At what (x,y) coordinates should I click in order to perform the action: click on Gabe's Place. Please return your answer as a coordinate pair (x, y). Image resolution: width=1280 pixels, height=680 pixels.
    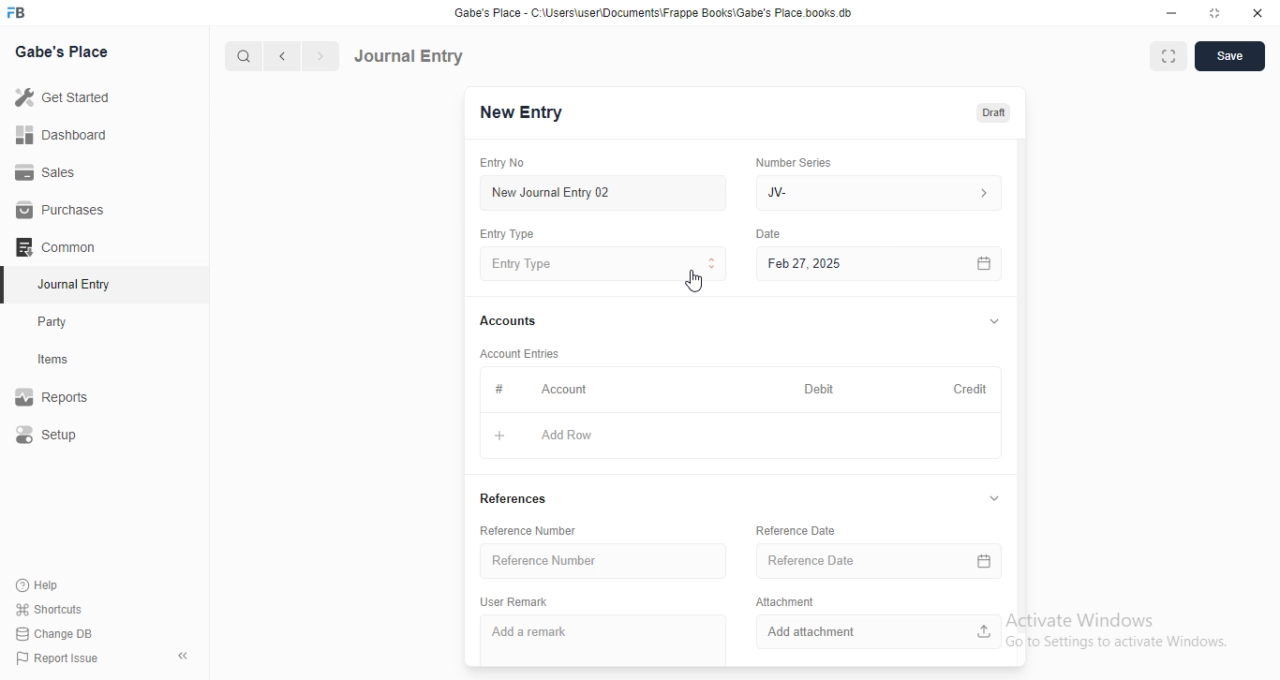
    Looking at the image, I should click on (63, 51).